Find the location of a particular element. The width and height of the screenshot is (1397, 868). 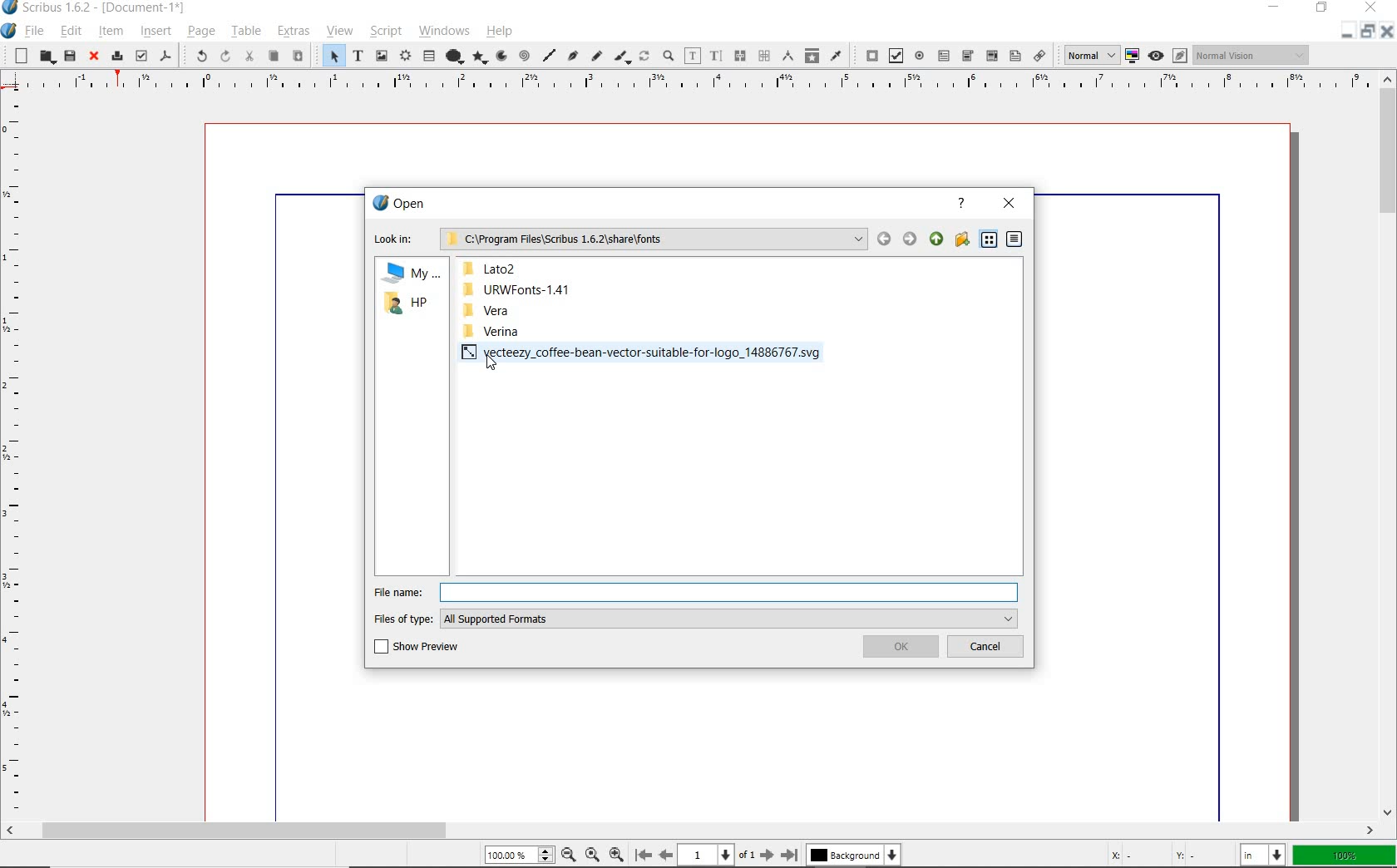

select item is located at coordinates (329, 56).